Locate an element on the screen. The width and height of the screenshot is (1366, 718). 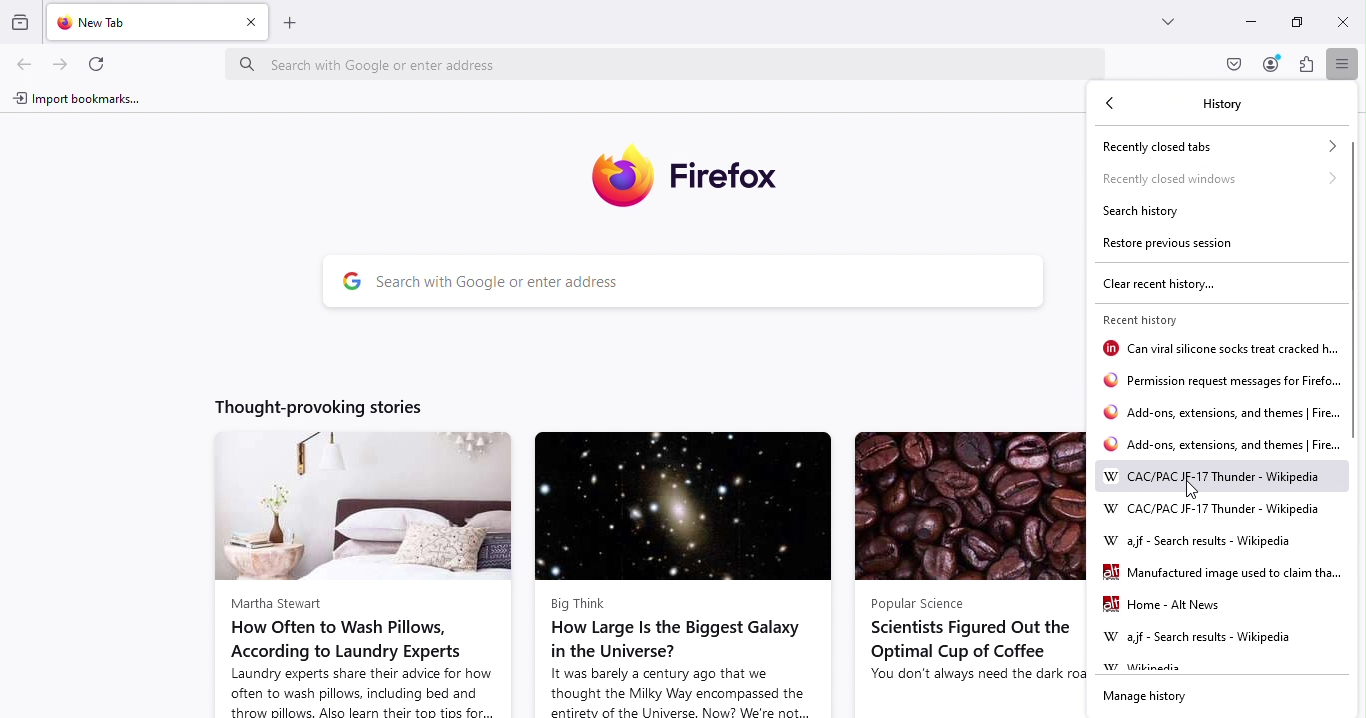
Firefox icon is located at coordinates (691, 177).